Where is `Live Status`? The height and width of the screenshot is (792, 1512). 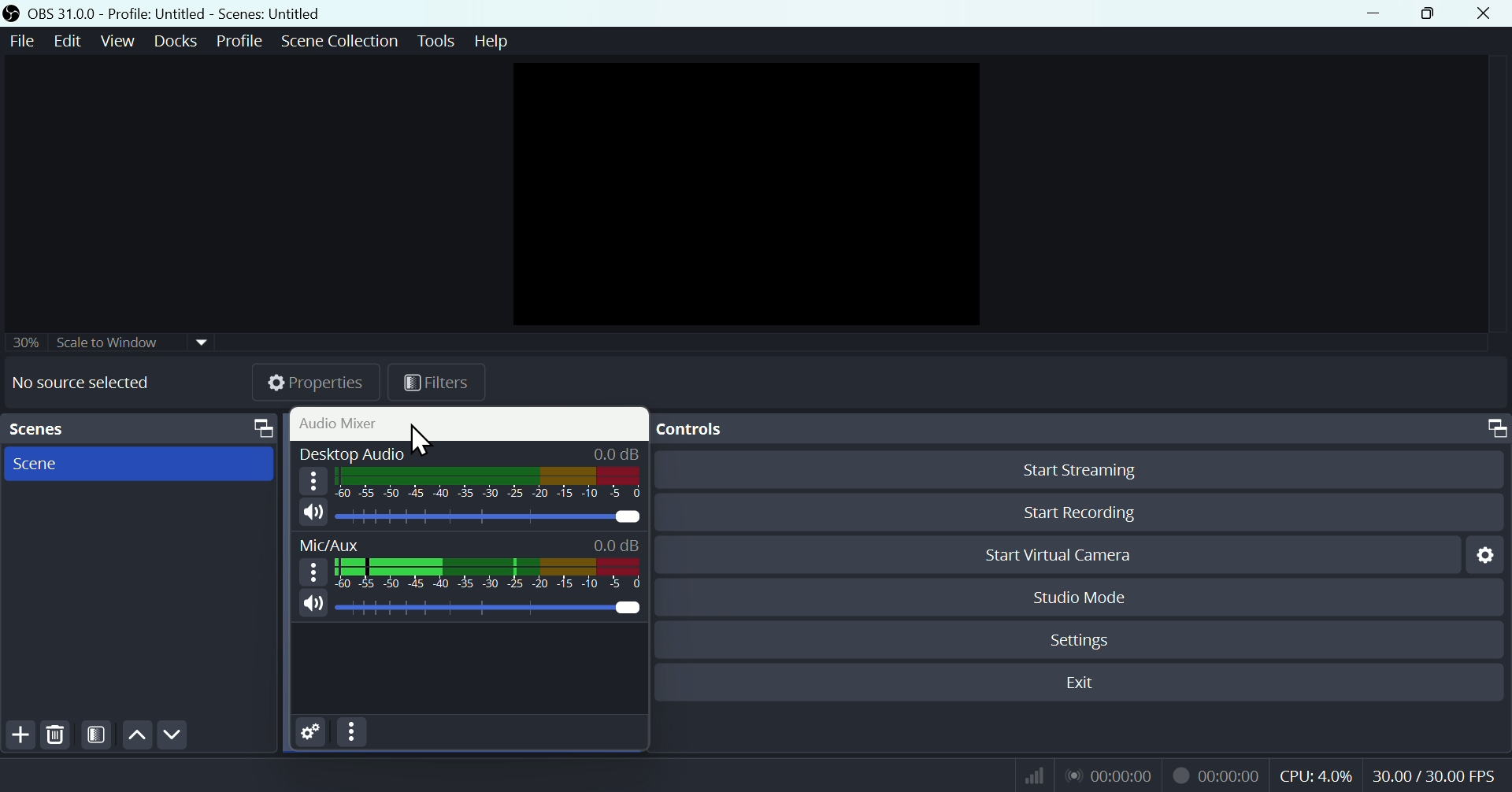 Live Status is located at coordinates (1111, 775).